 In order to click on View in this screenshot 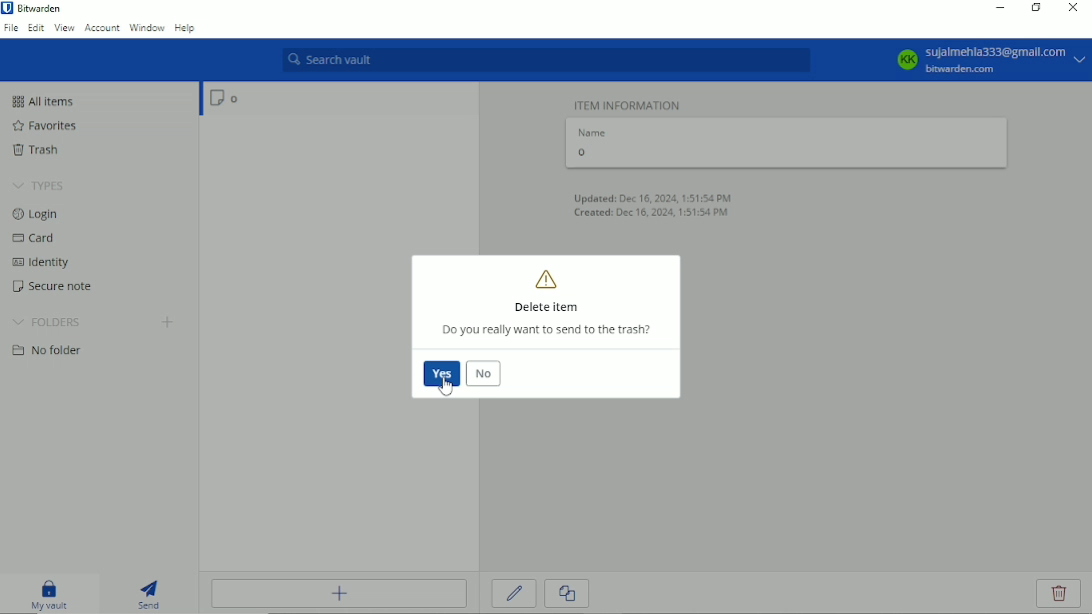, I will do `click(64, 28)`.